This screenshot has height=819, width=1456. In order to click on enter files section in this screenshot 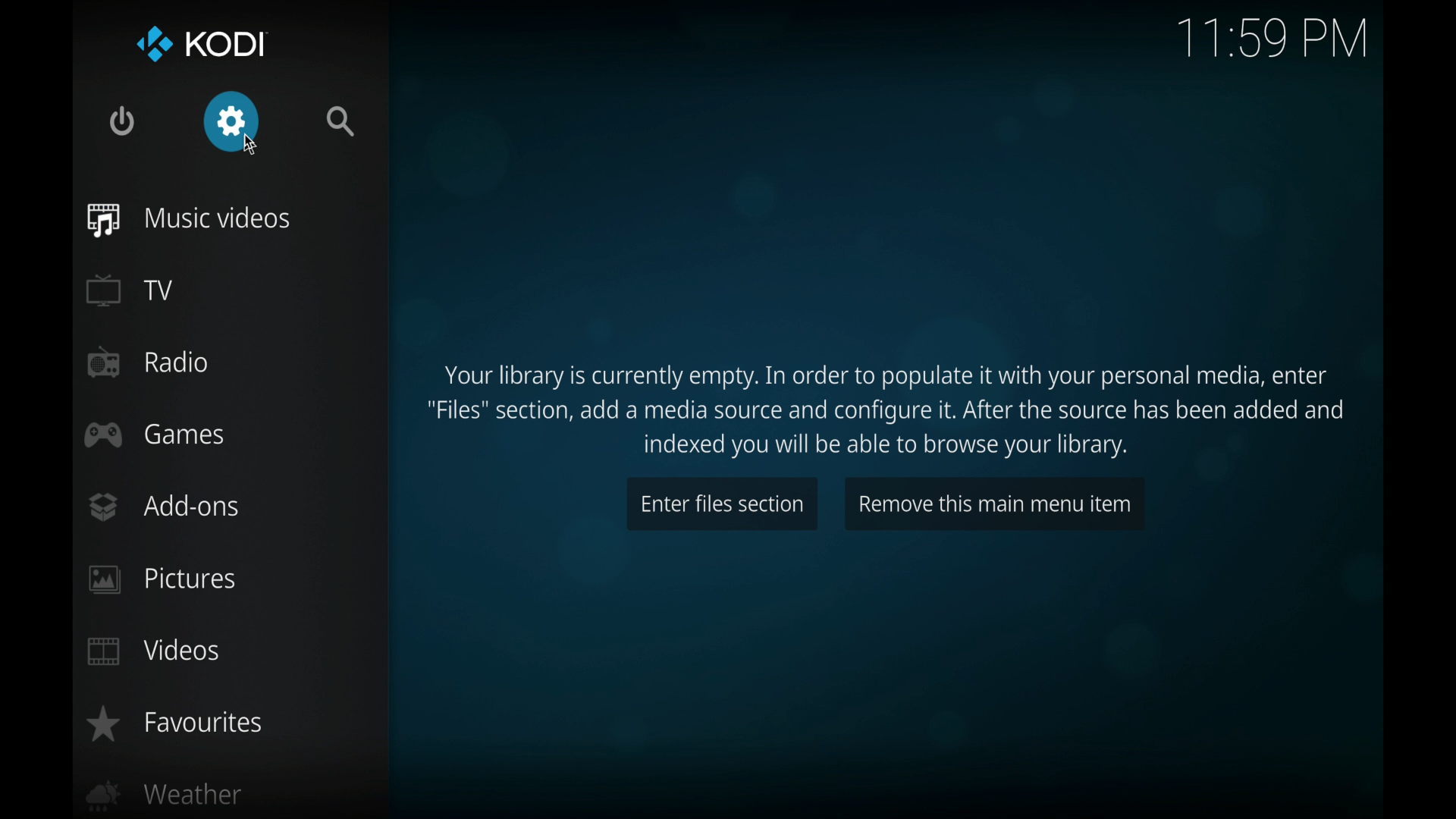, I will do `click(722, 504)`.